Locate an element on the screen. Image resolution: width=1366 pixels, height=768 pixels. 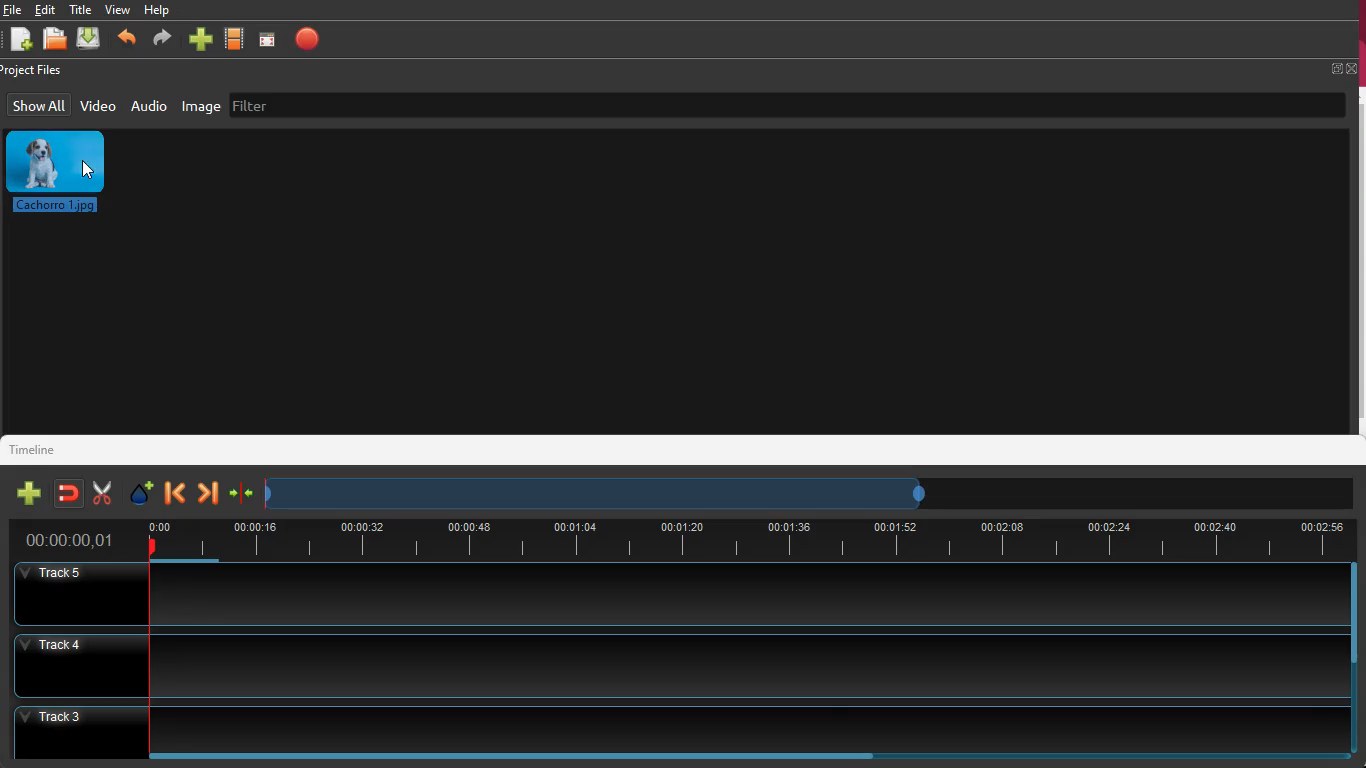
timeframe is located at coordinates (597, 491).